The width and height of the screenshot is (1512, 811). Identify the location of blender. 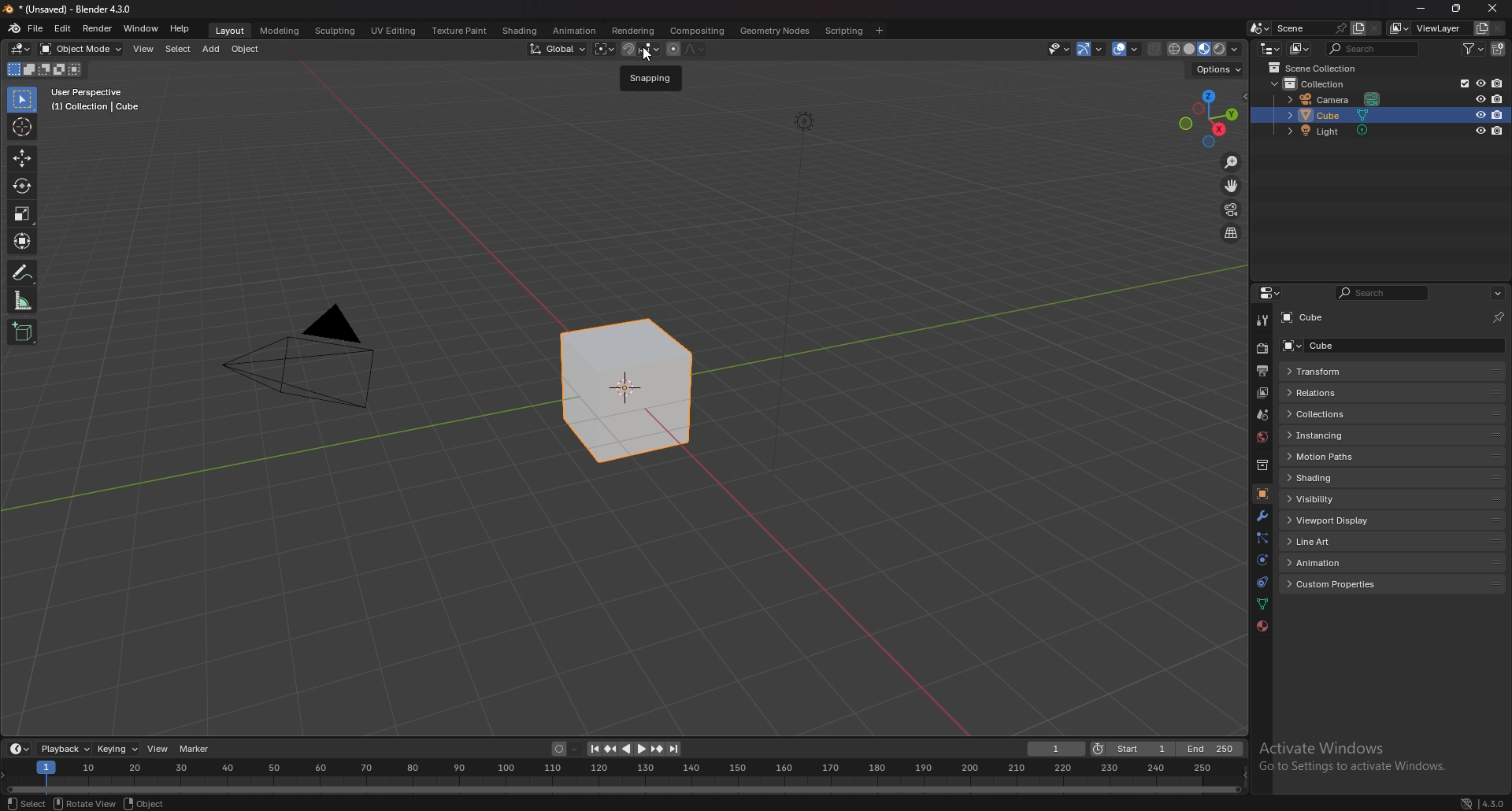
(15, 28).